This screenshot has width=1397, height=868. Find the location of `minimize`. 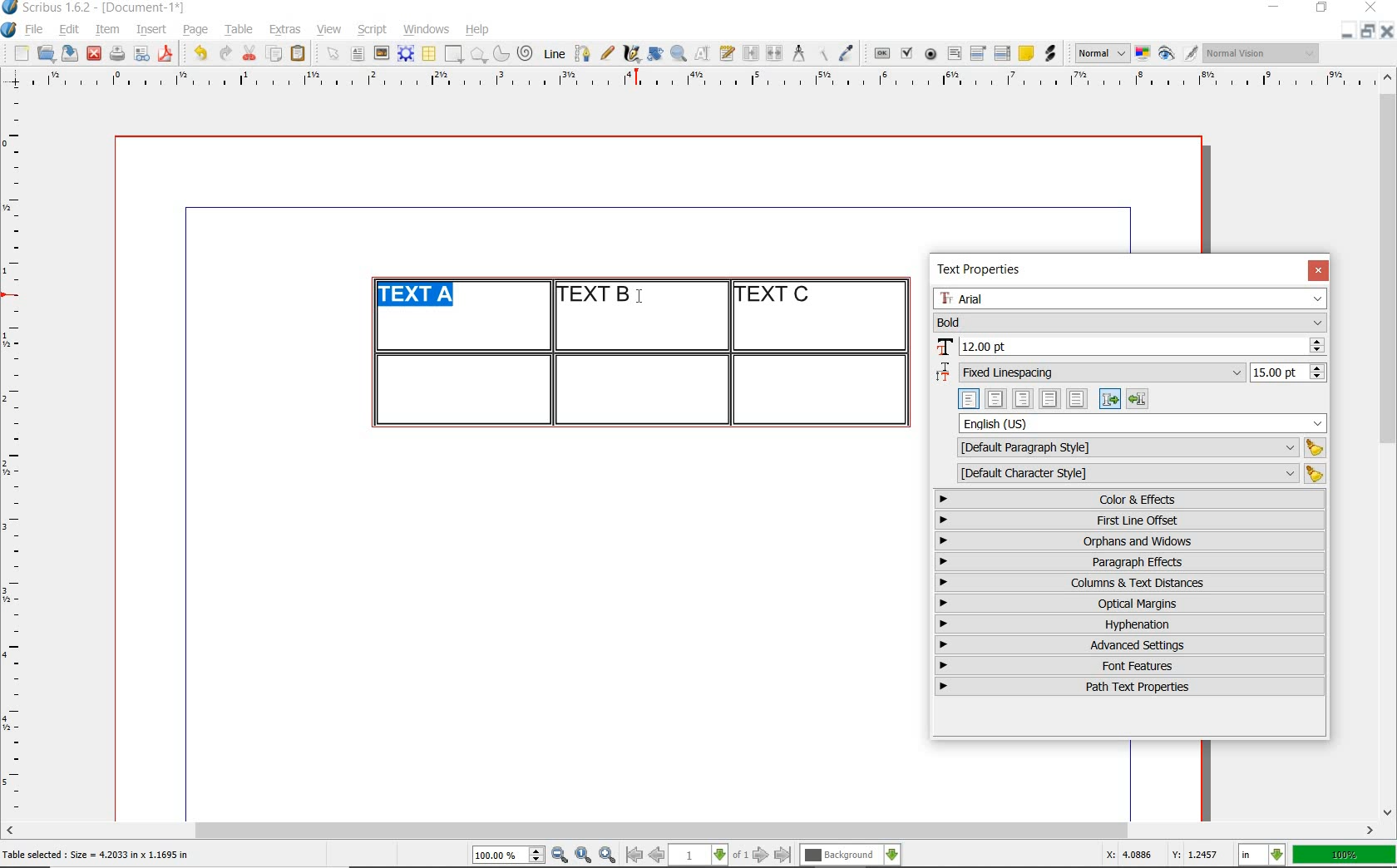

minimize is located at coordinates (1276, 8).